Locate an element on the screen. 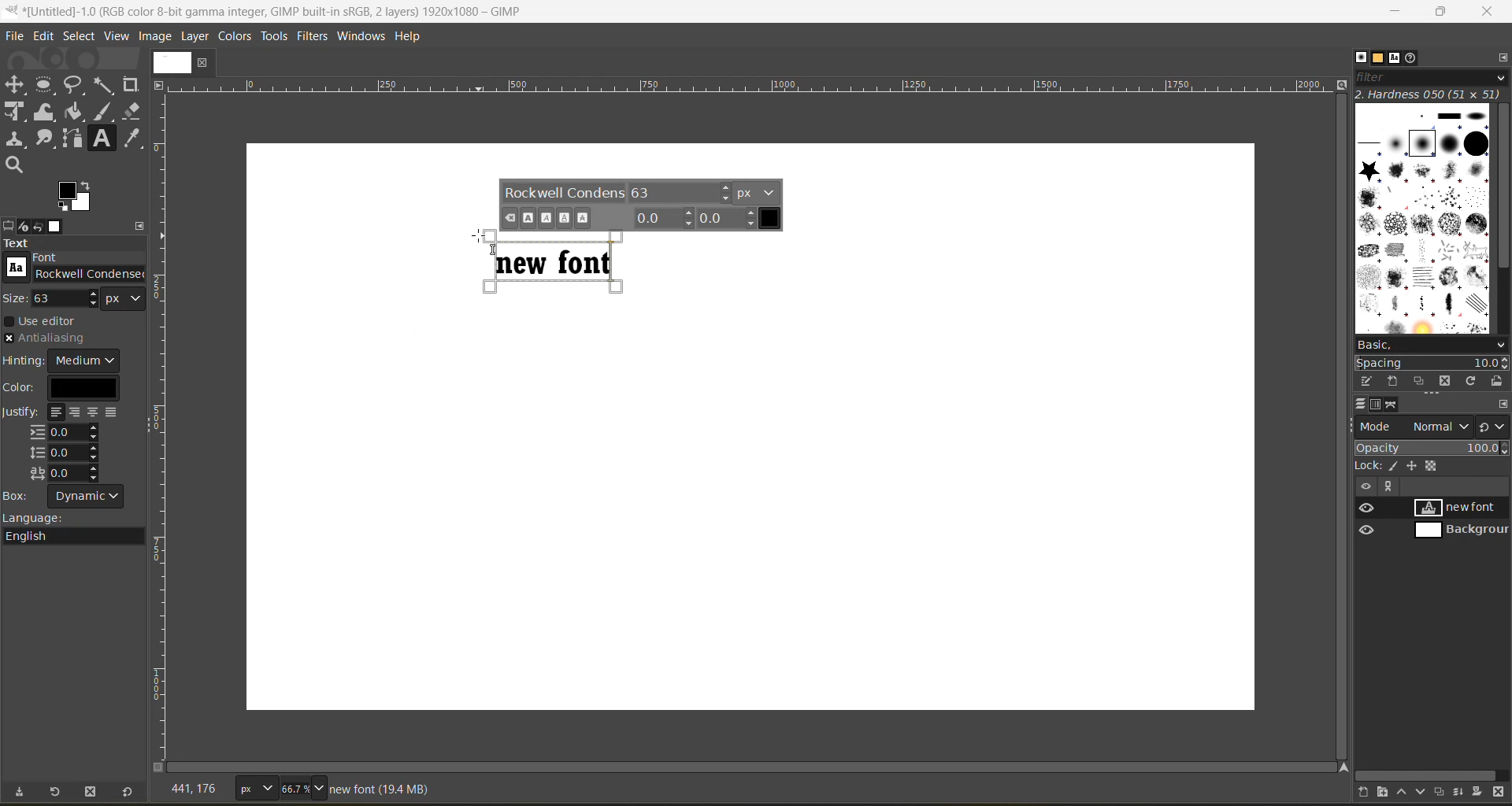  create a duplicate layer is located at coordinates (1444, 791).